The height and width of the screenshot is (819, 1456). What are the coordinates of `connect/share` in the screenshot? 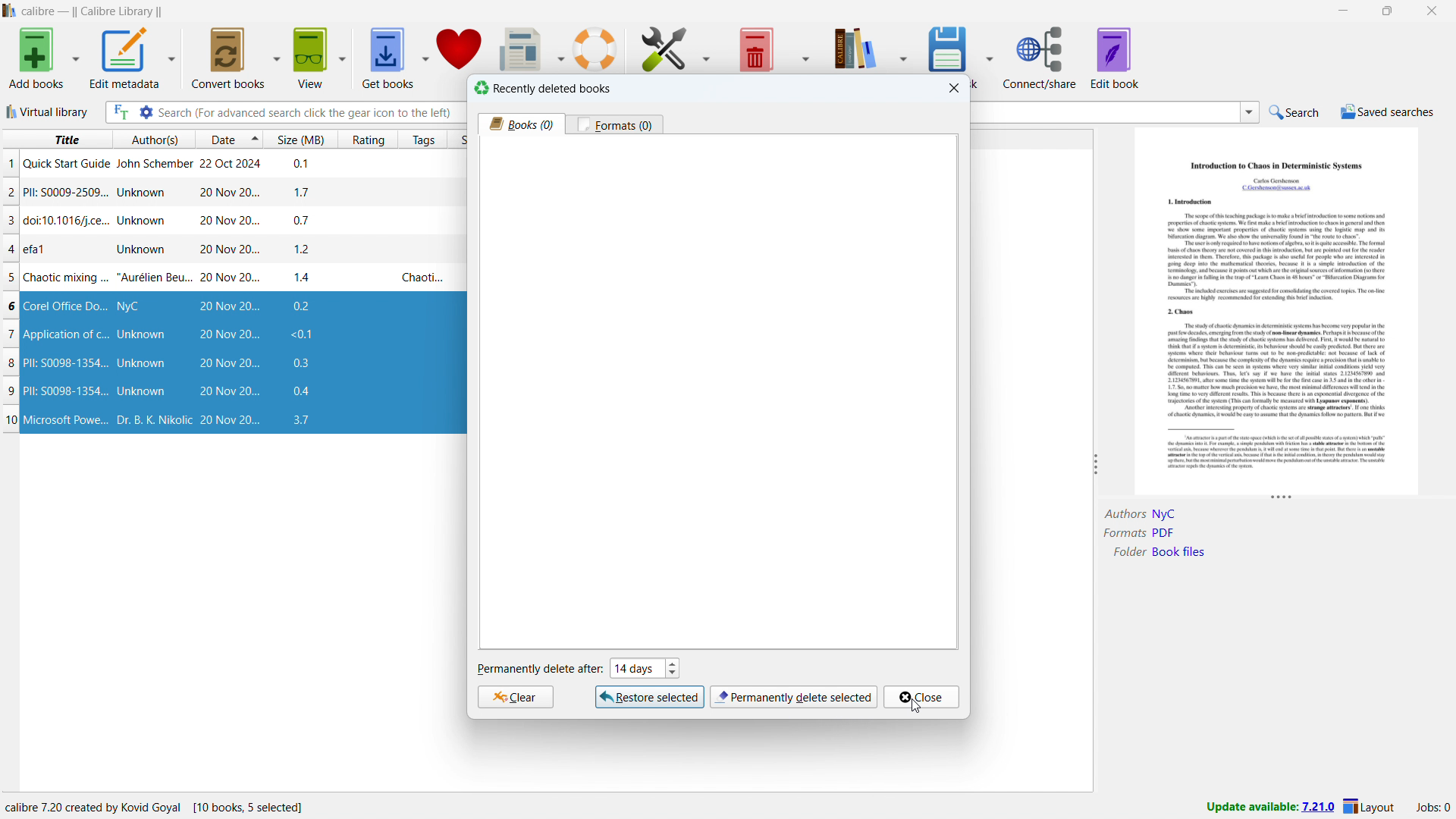 It's located at (1040, 56).